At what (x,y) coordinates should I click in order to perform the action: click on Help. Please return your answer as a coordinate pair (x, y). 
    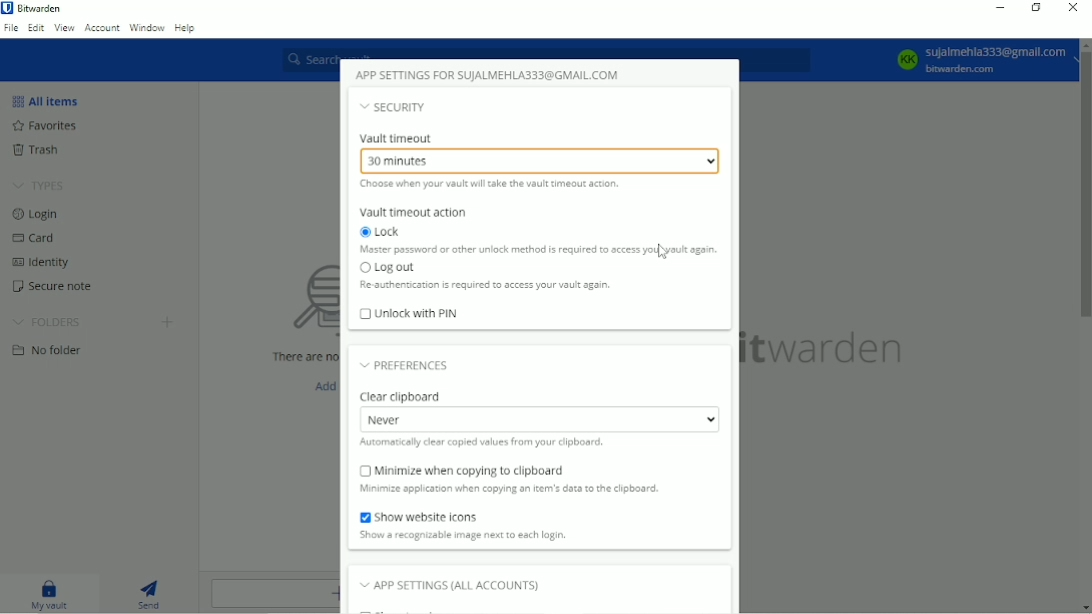
    Looking at the image, I should click on (186, 27).